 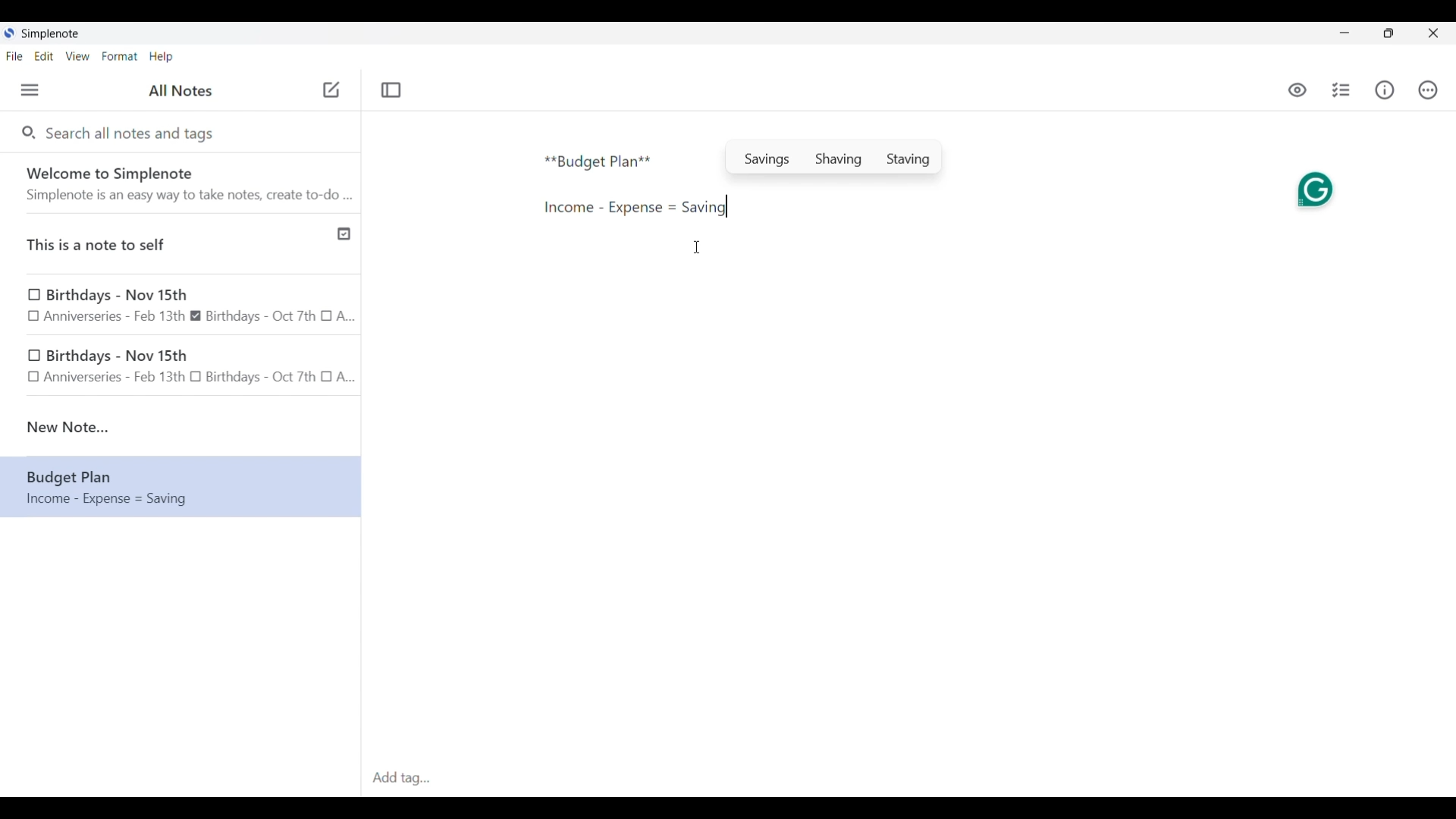 What do you see at coordinates (1433, 33) in the screenshot?
I see `Close interface` at bounding box center [1433, 33].